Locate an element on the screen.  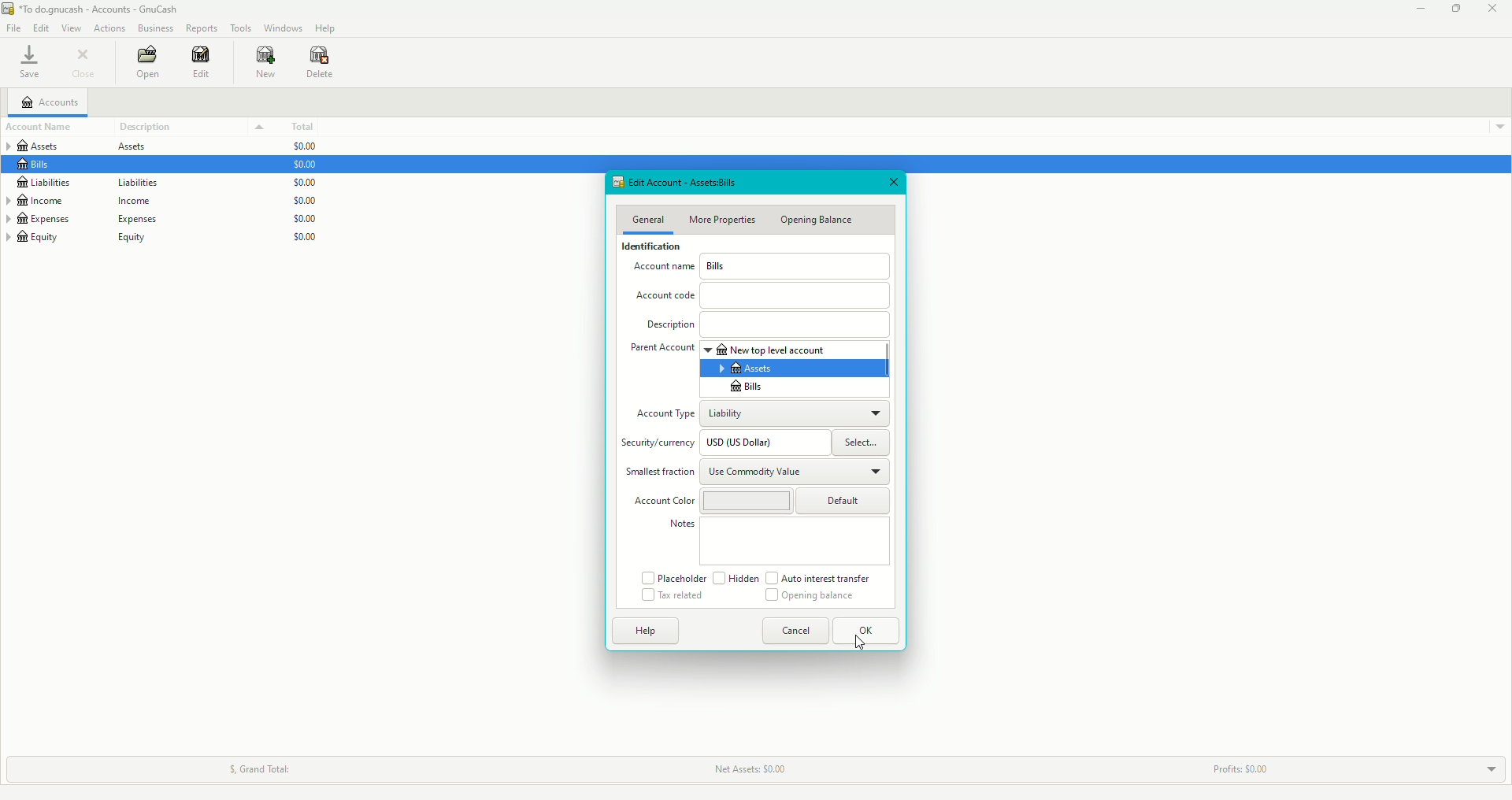
File is located at coordinates (16, 29).